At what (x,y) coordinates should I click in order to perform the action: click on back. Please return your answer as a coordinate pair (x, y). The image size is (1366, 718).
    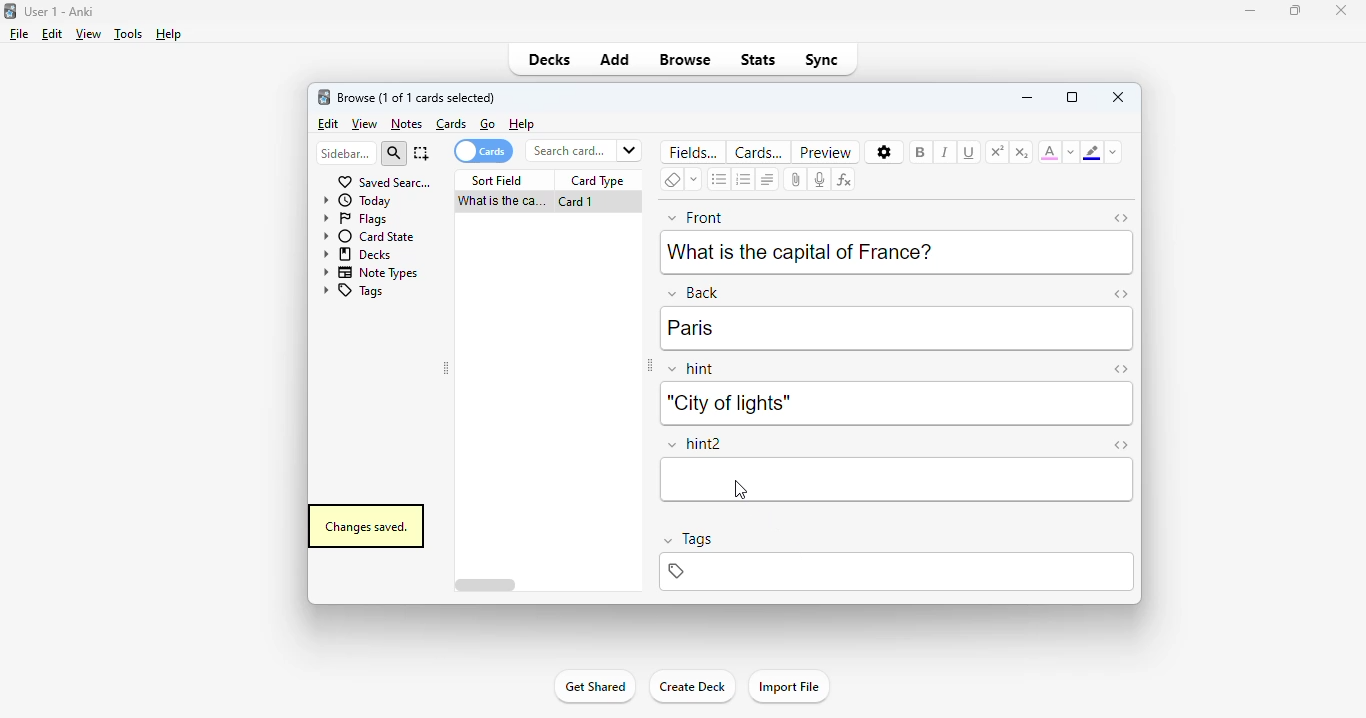
    Looking at the image, I should click on (693, 292).